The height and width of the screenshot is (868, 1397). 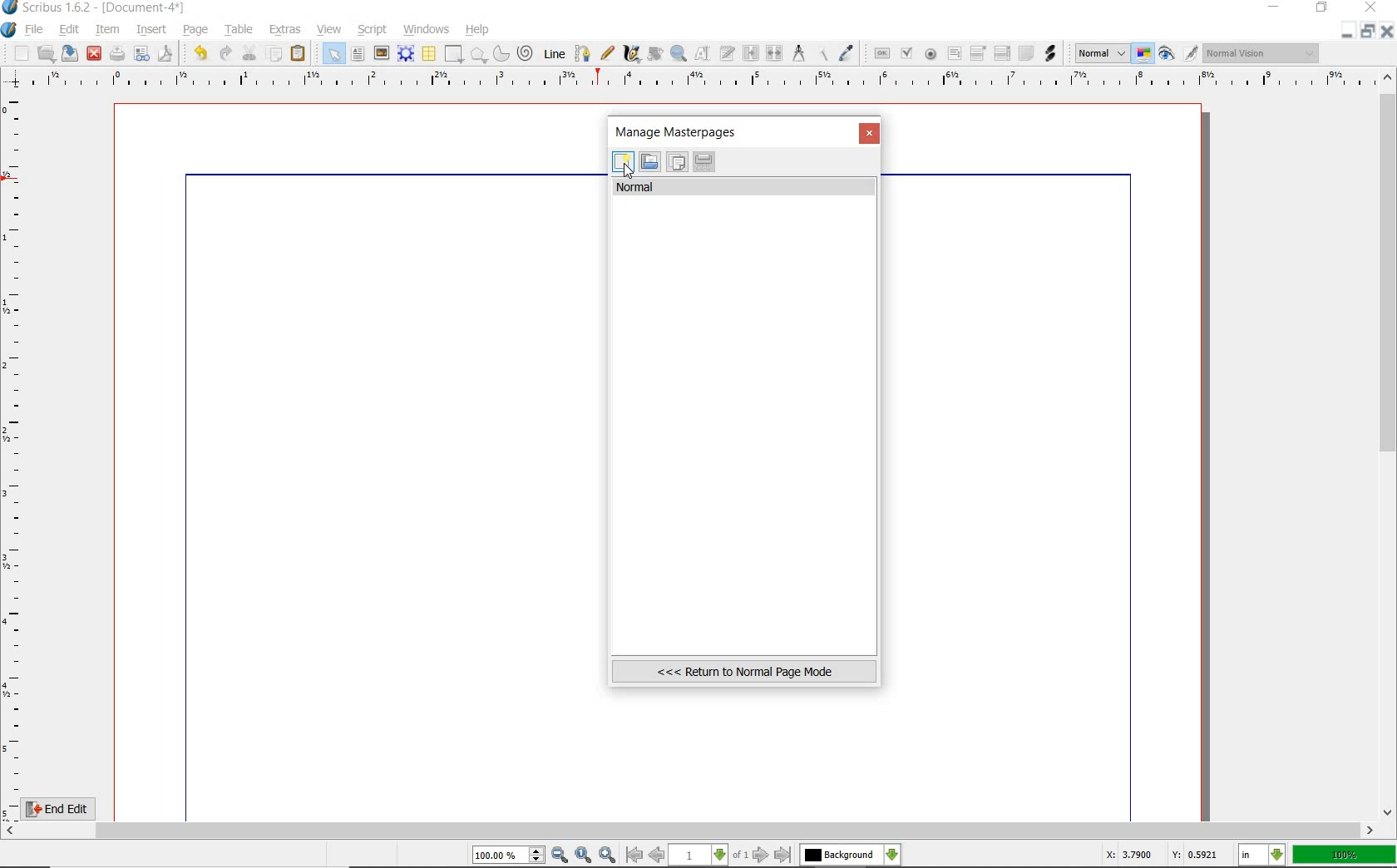 What do you see at coordinates (623, 164) in the screenshot?
I see `new` at bounding box center [623, 164].